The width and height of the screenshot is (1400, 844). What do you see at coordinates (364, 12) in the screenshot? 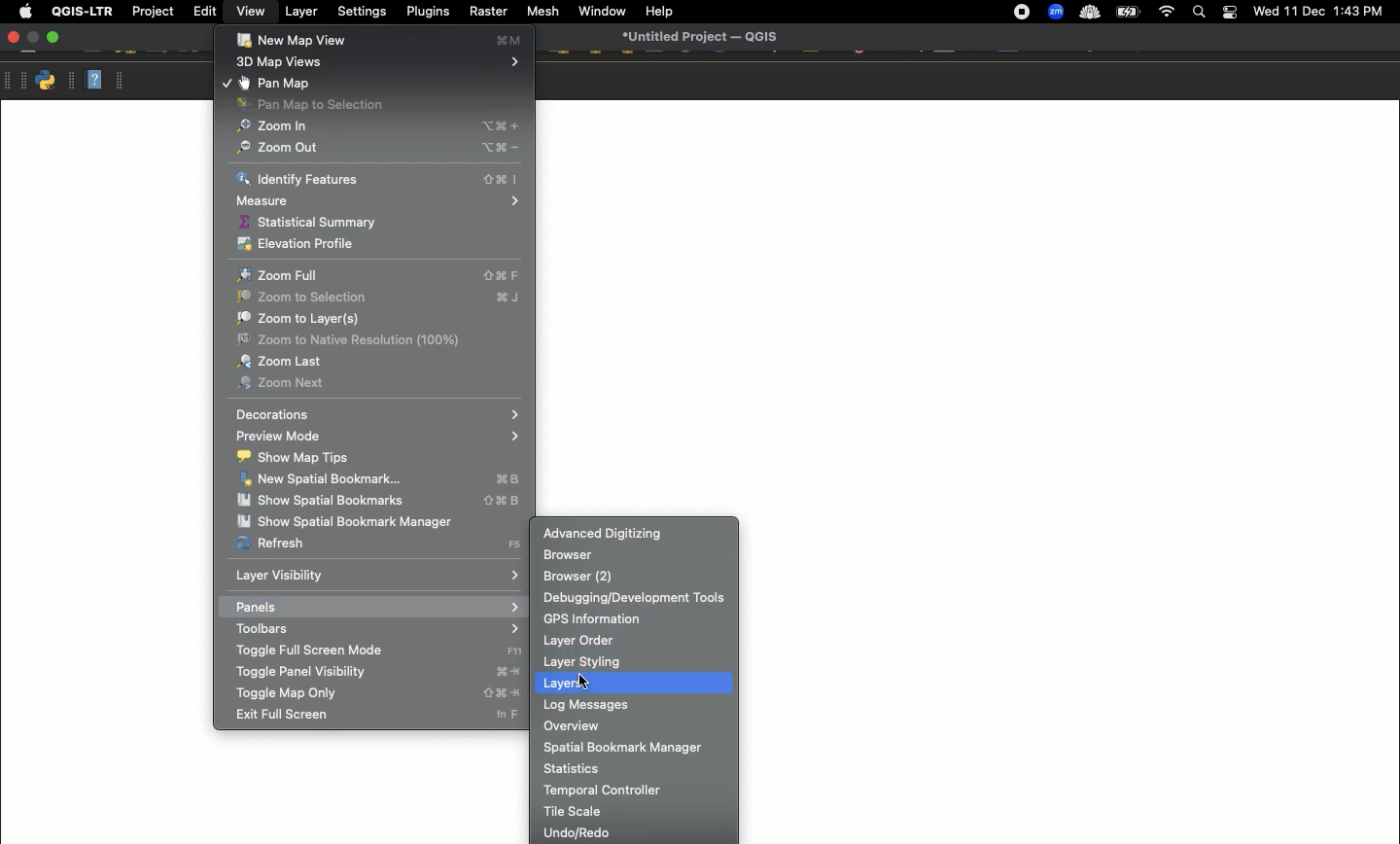
I see `Settings` at bounding box center [364, 12].